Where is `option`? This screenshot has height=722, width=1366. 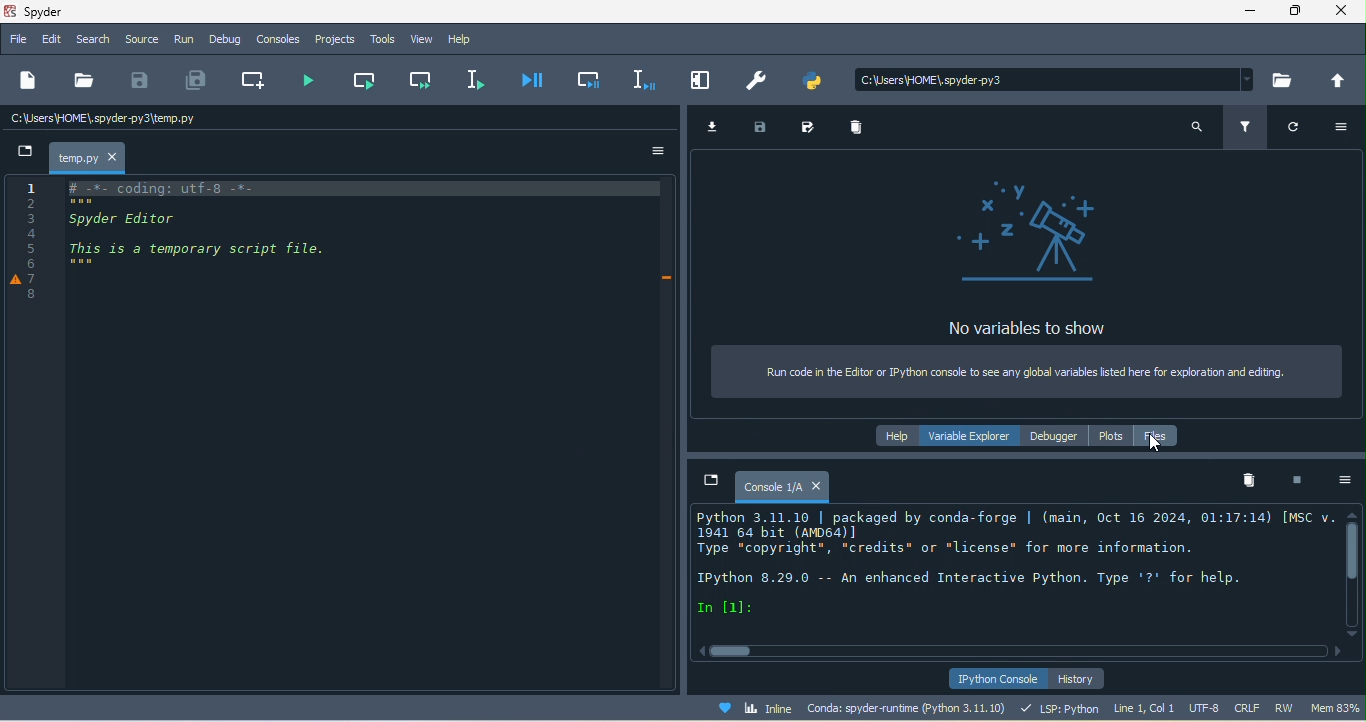
option is located at coordinates (1344, 481).